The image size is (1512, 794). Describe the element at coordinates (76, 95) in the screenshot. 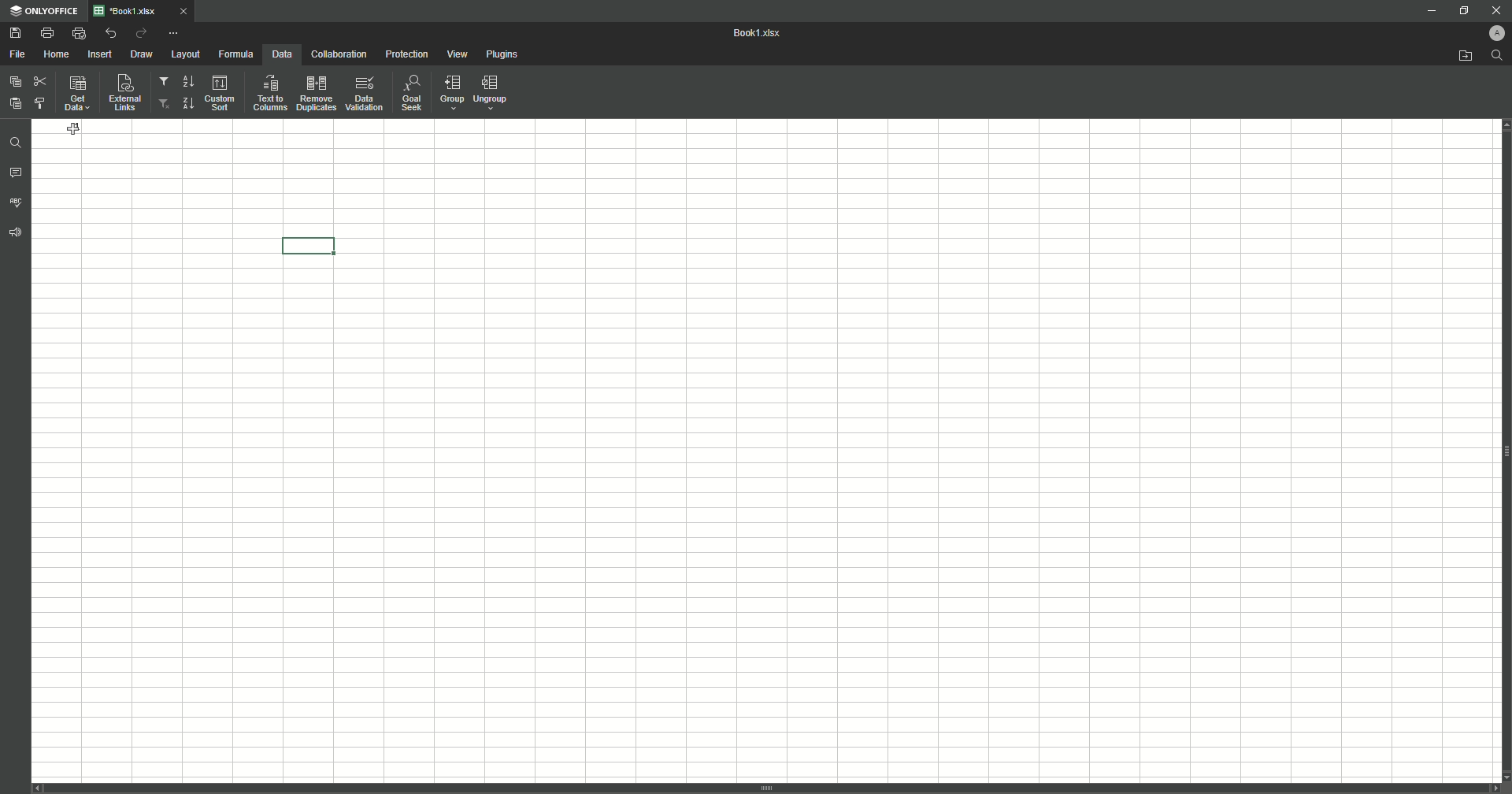

I see `Get Data` at that location.